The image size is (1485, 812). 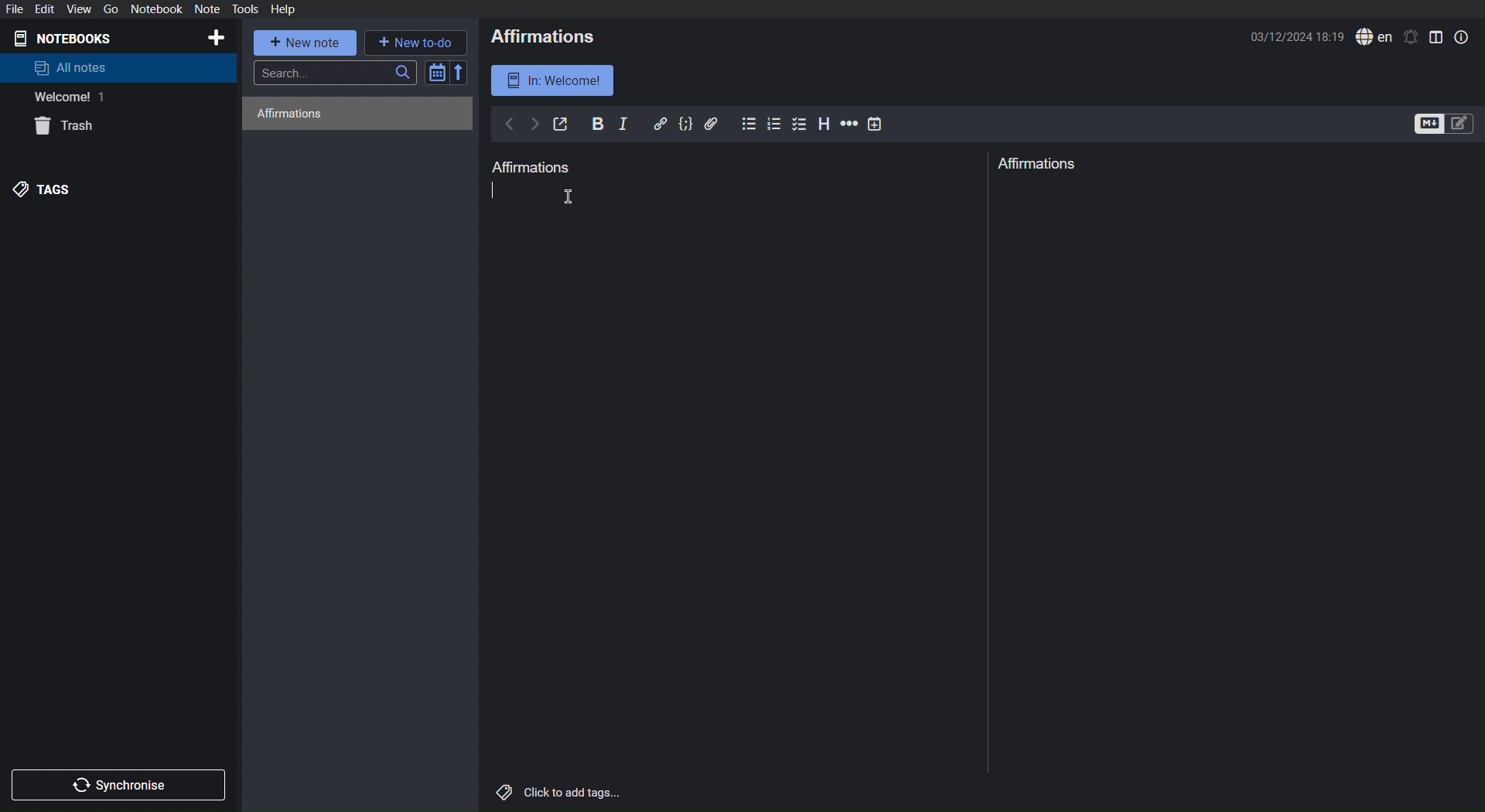 What do you see at coordinates (556, 793) in the screenshot?
I see `Click to add tags...` at bounding box center [556, 793].